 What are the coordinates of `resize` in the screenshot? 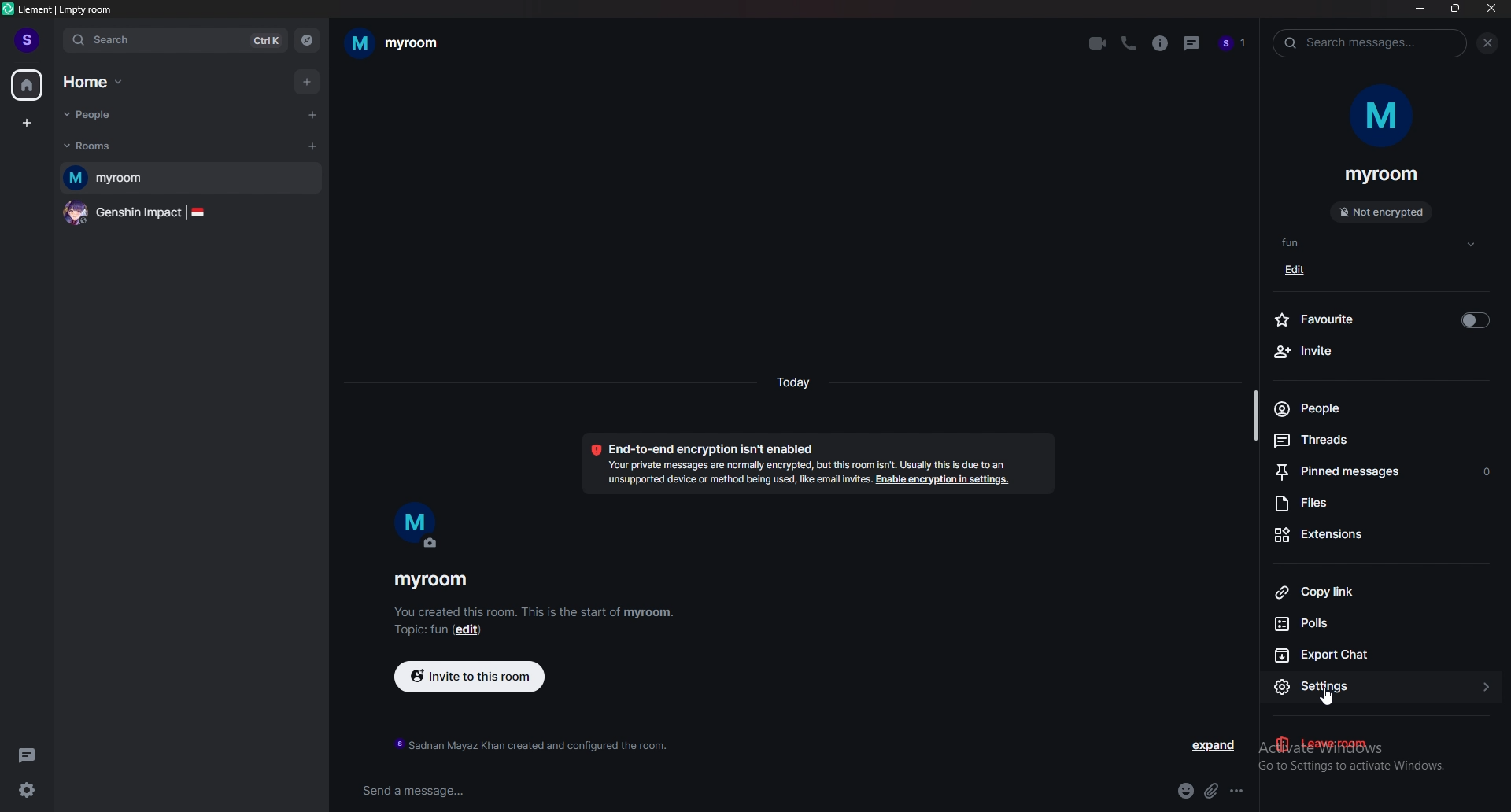 It's located at (1455, 9).